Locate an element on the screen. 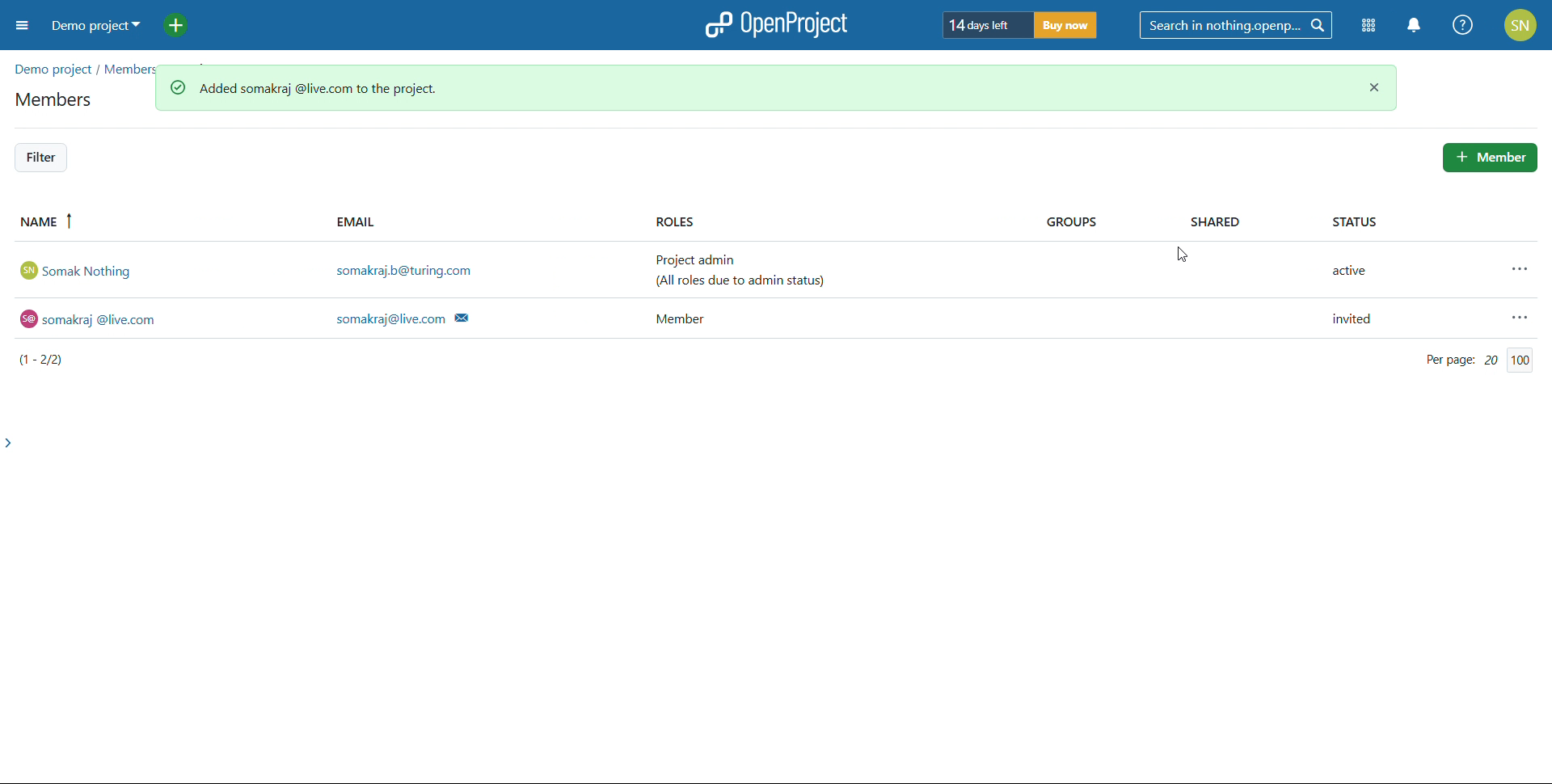 The image size is (1552, 784). demo projects/ is located at coordinates (55, 67).